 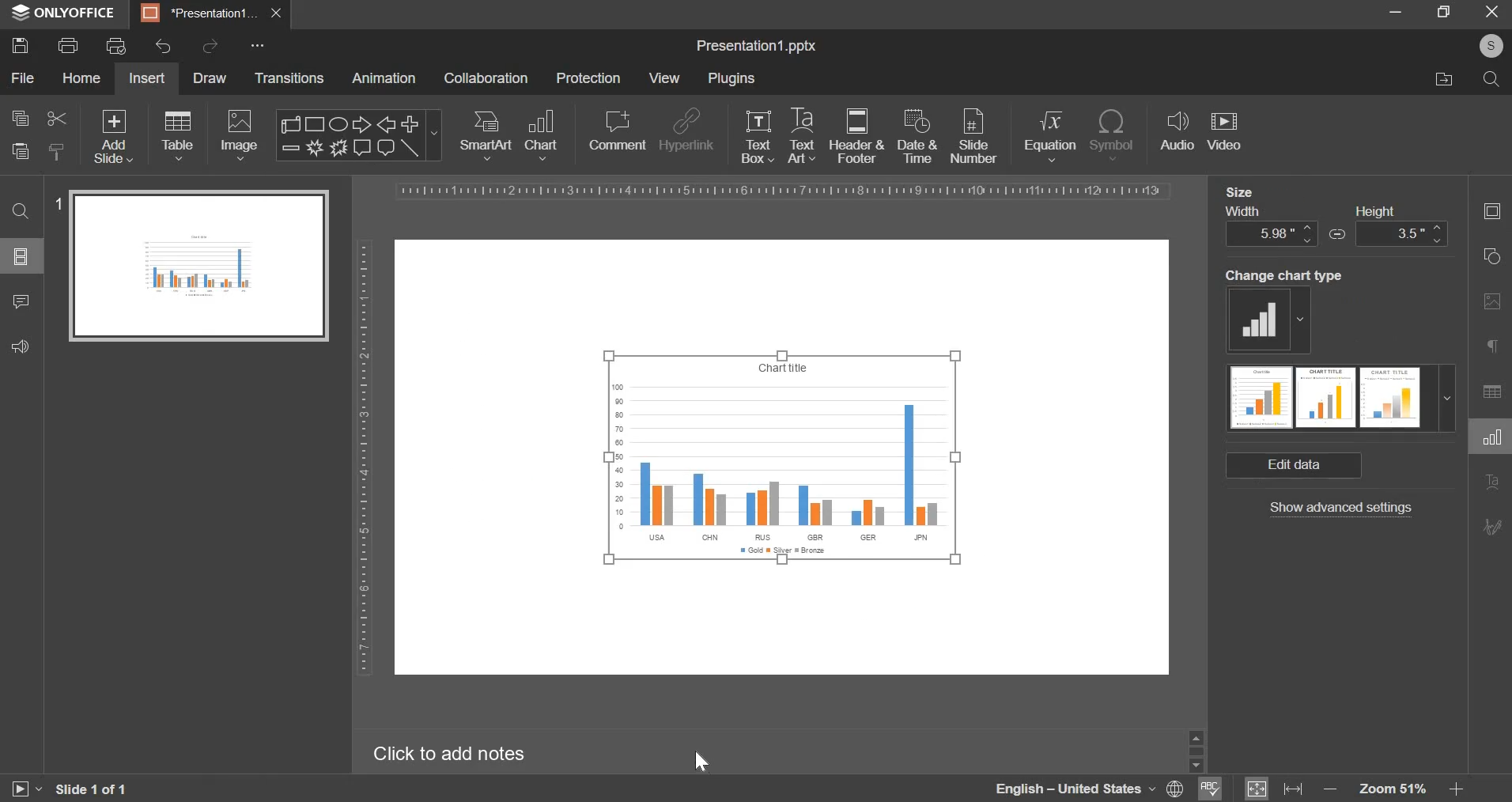 What do you see at coordinates (1495, 257) in the screenshot?
I see `shape settings` at bounding box center [1495, 257].